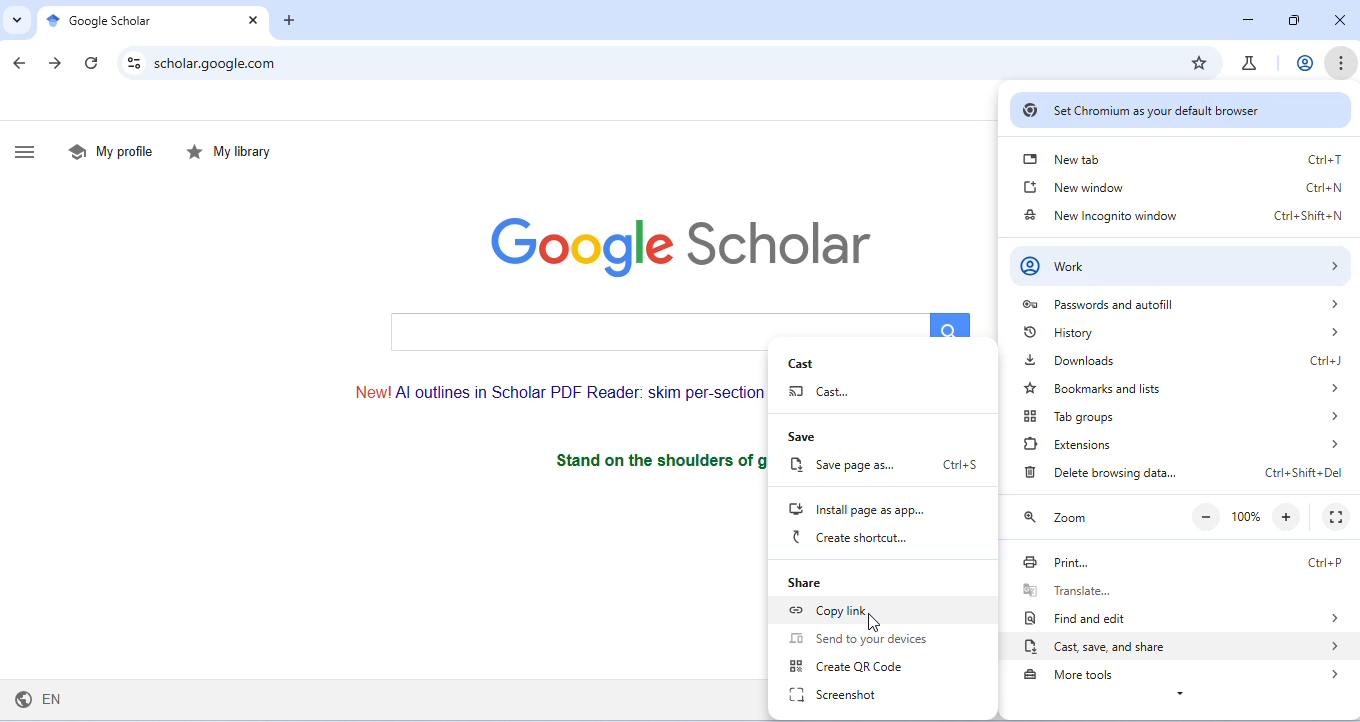 Image resolution: width=1360 pixels, height=722 pixels. I want to click on history, so click(1184, 334).